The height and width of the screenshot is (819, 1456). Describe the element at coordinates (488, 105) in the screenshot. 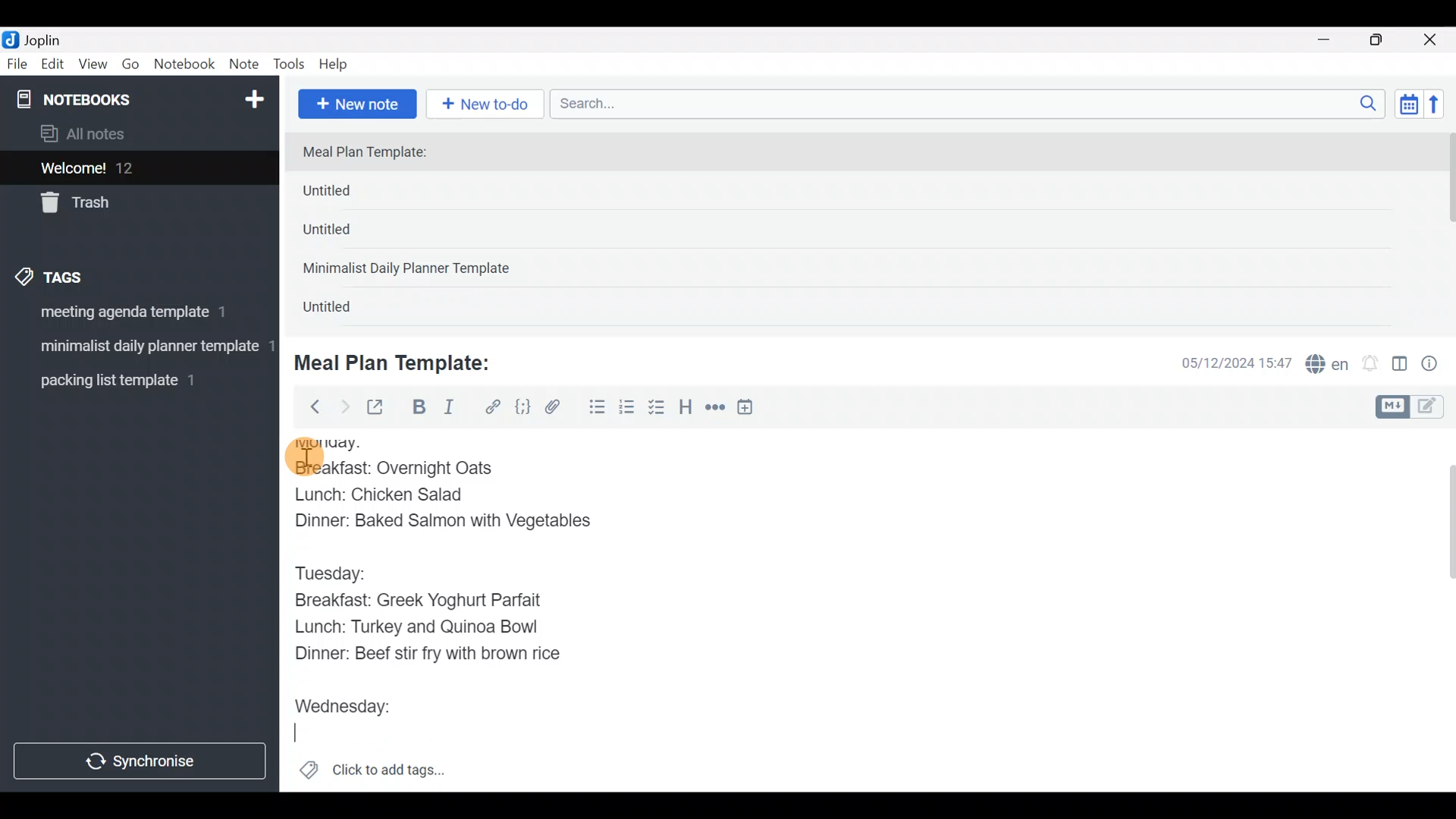

I see `New to-do` at that location.